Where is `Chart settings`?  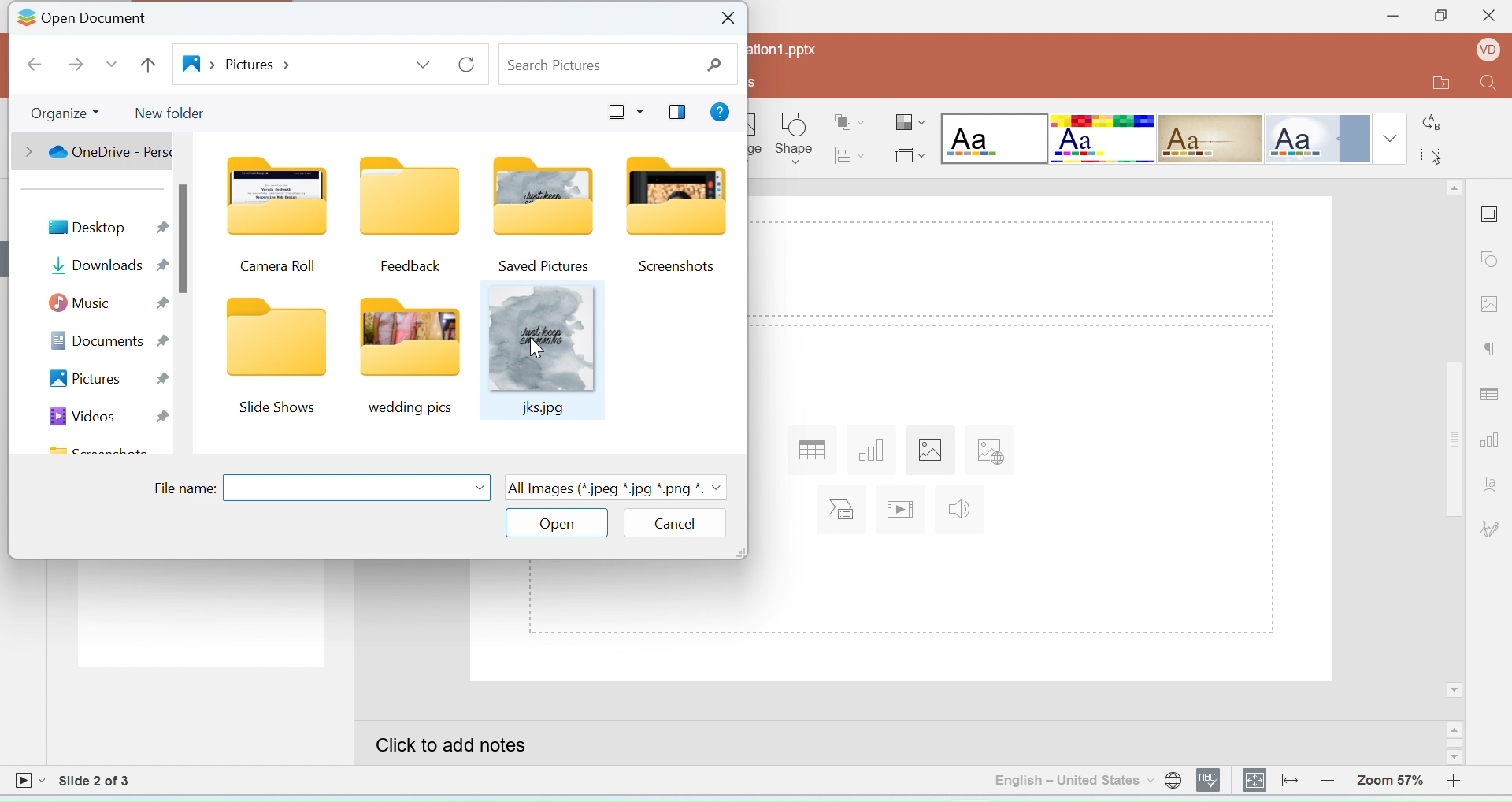 Chart settings is located at coordinates (1494, 441).